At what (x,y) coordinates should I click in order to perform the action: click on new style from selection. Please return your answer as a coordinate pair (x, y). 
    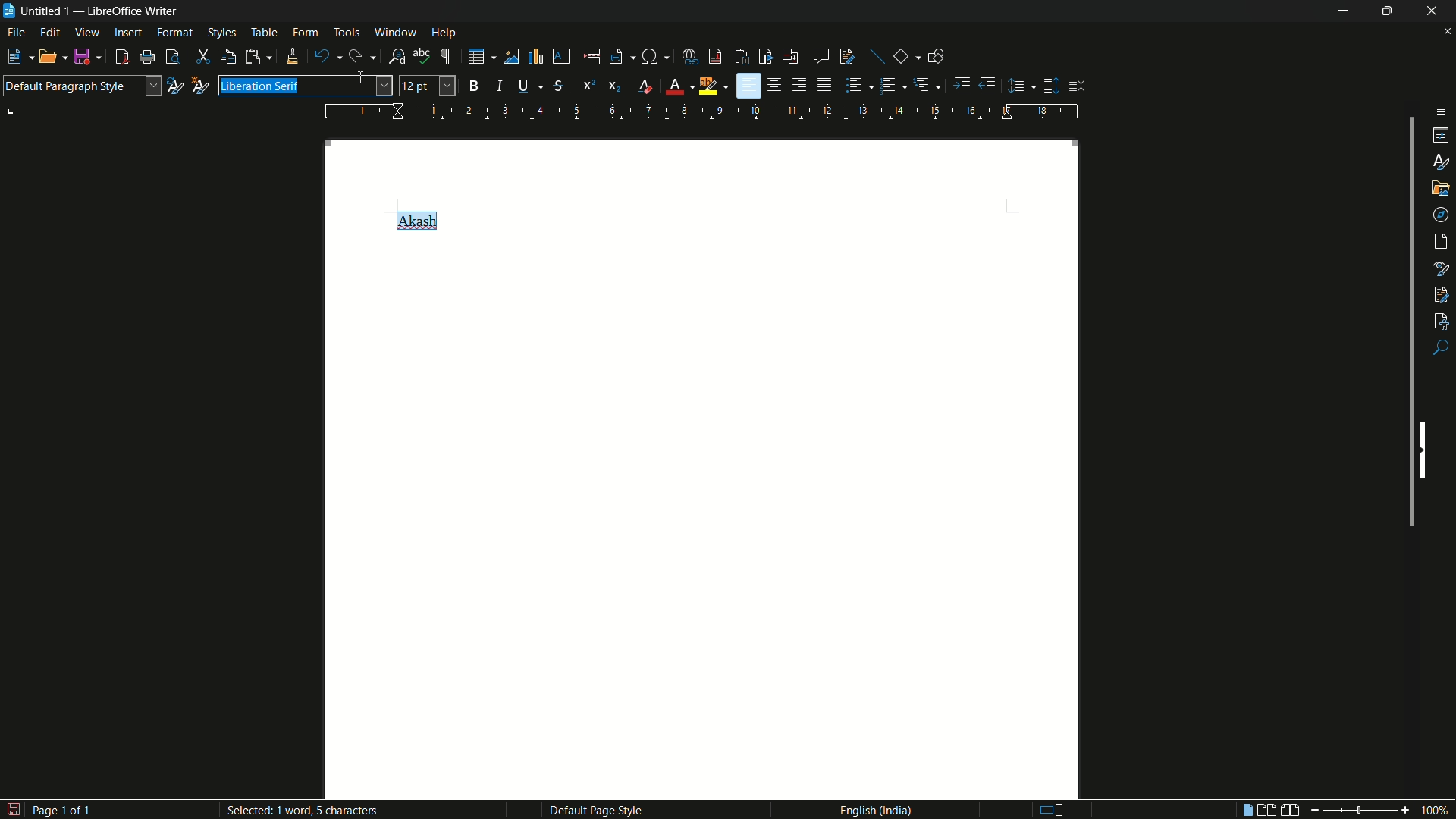
    Looking at the image, I should click on (198, 84).